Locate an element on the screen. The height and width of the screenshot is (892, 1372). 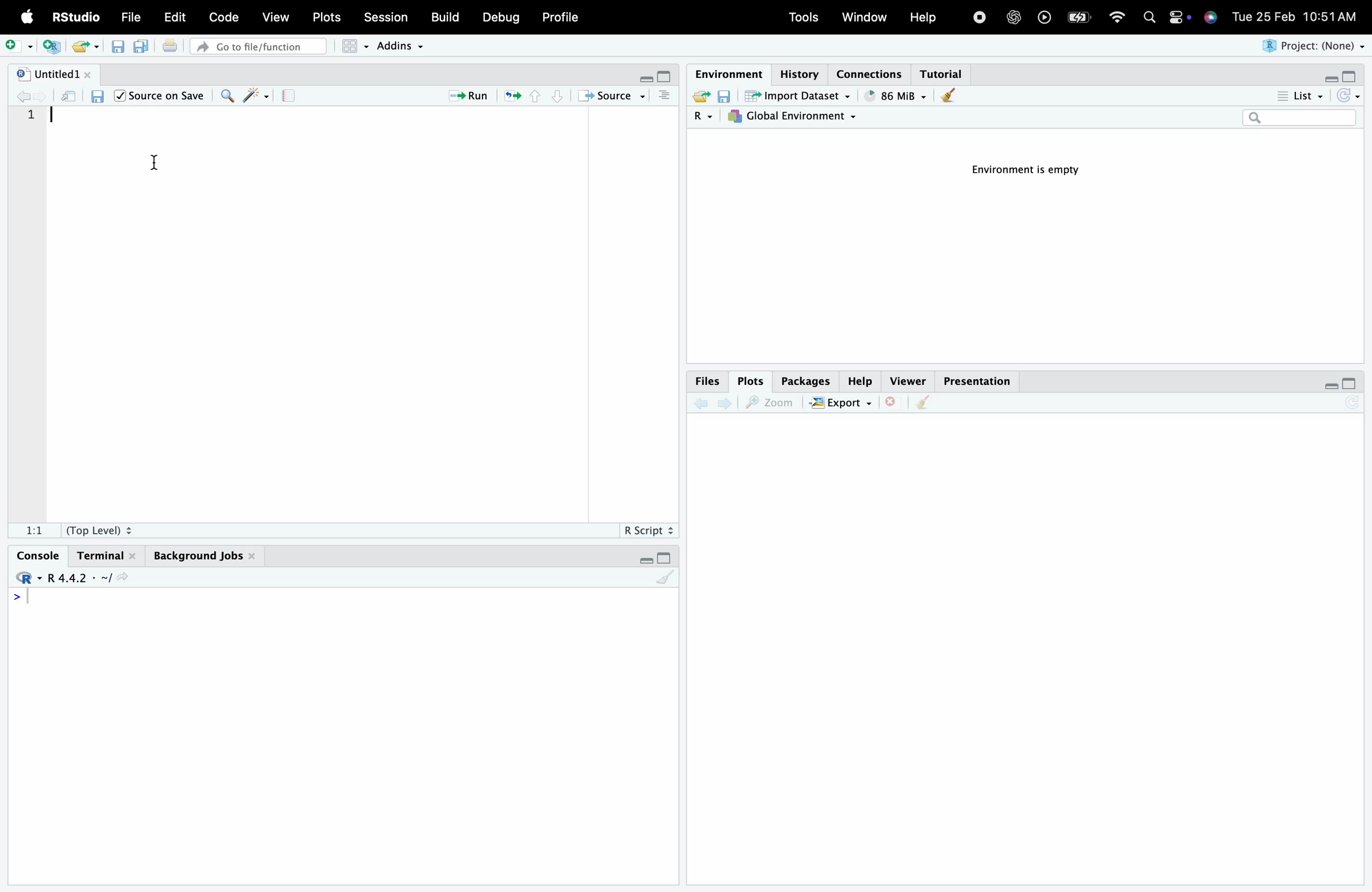
> | is located at coordinates (26, 599).